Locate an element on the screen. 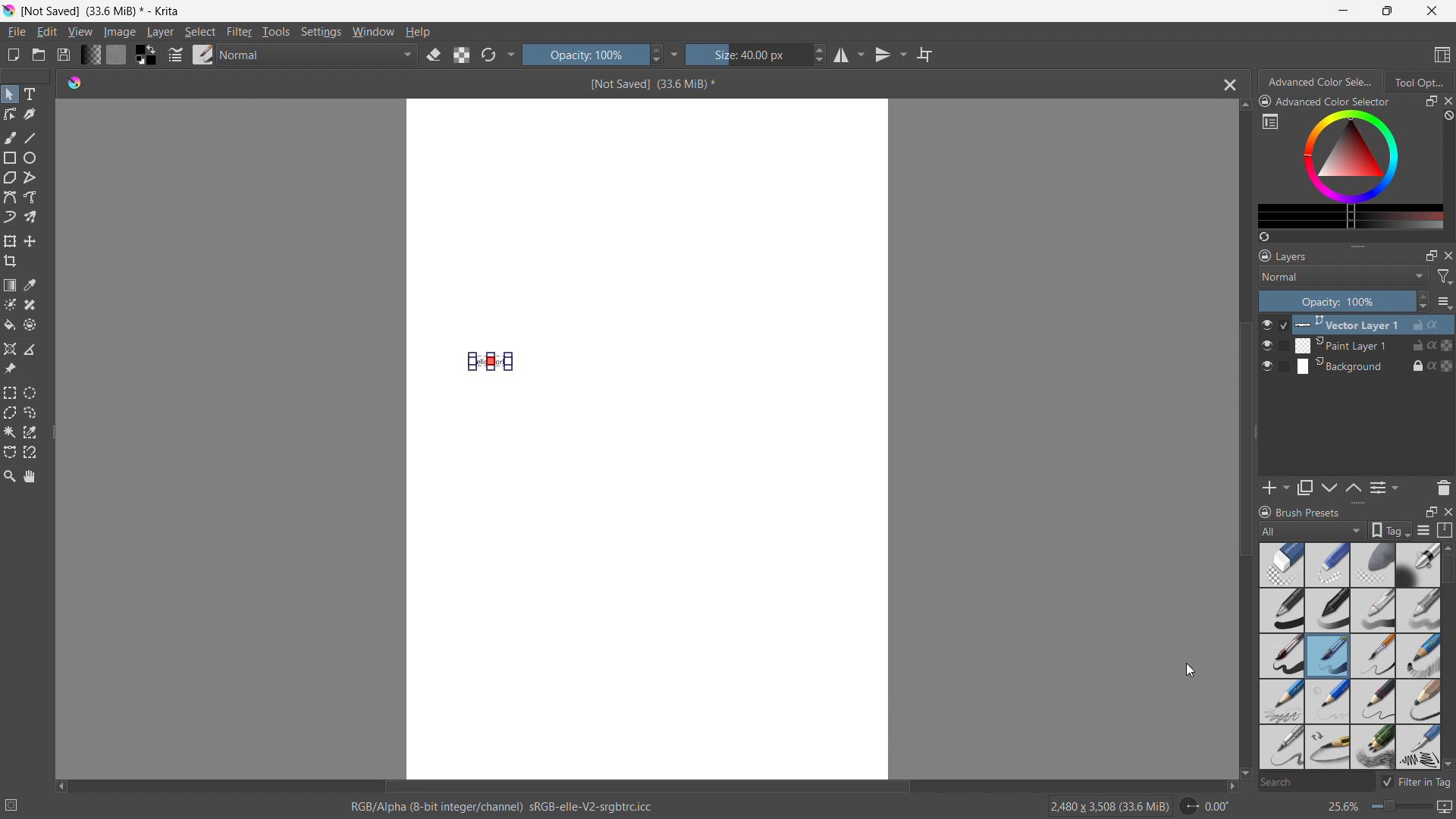 The image size is (1456, 819). move to a layer is located at coordinates (30, 241).